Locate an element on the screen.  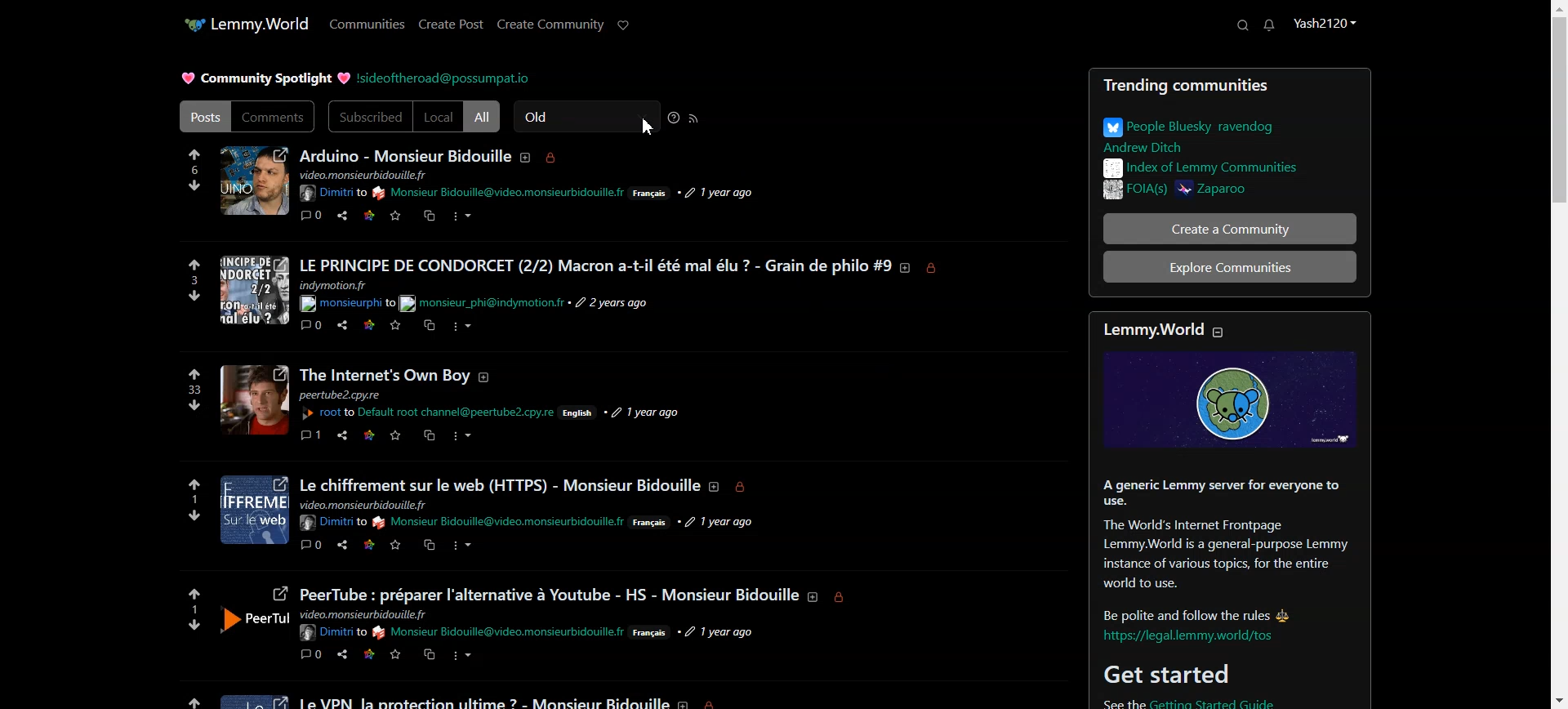
share is located at coordinates (345, 436).